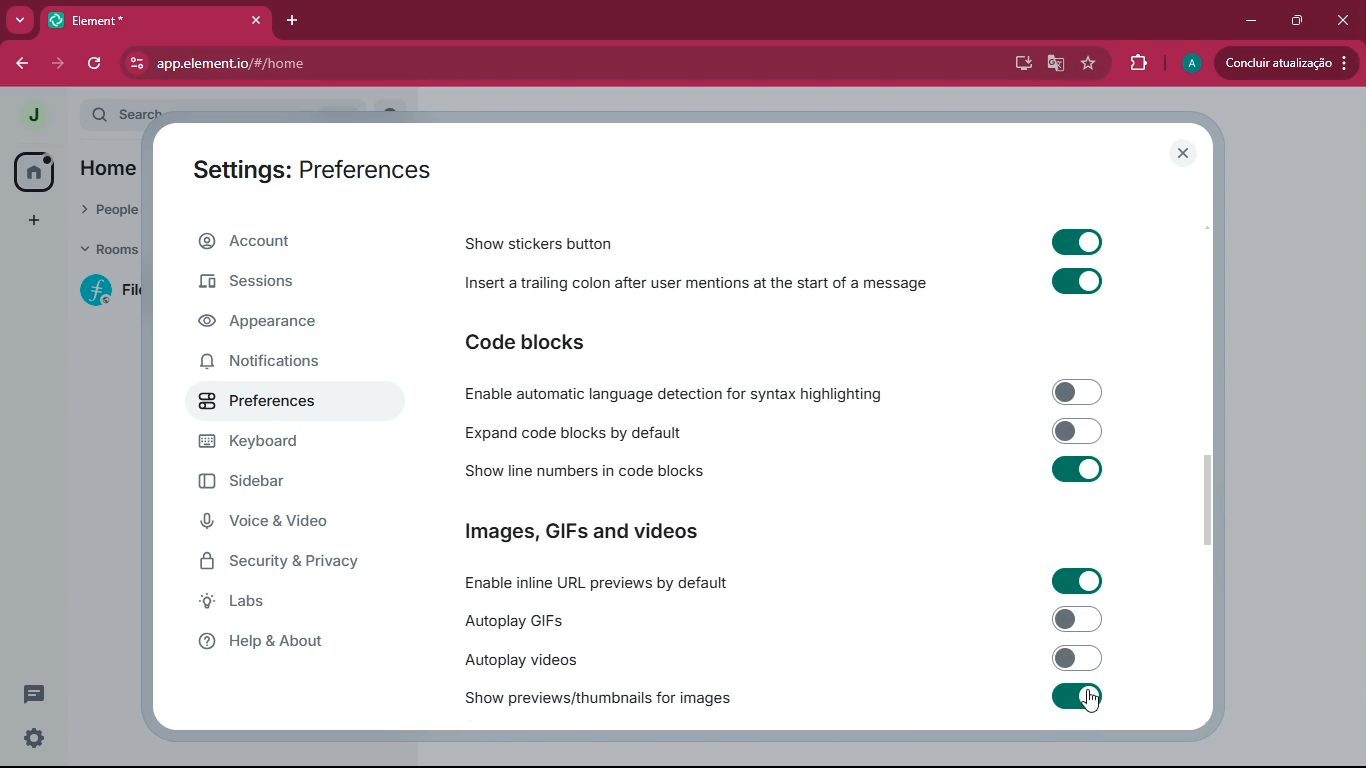 This screenshot has width=1366, height=768. What do you see at coordinates (37, 221) in the screenshot?
I see `add` at bounding box center [37, 221].